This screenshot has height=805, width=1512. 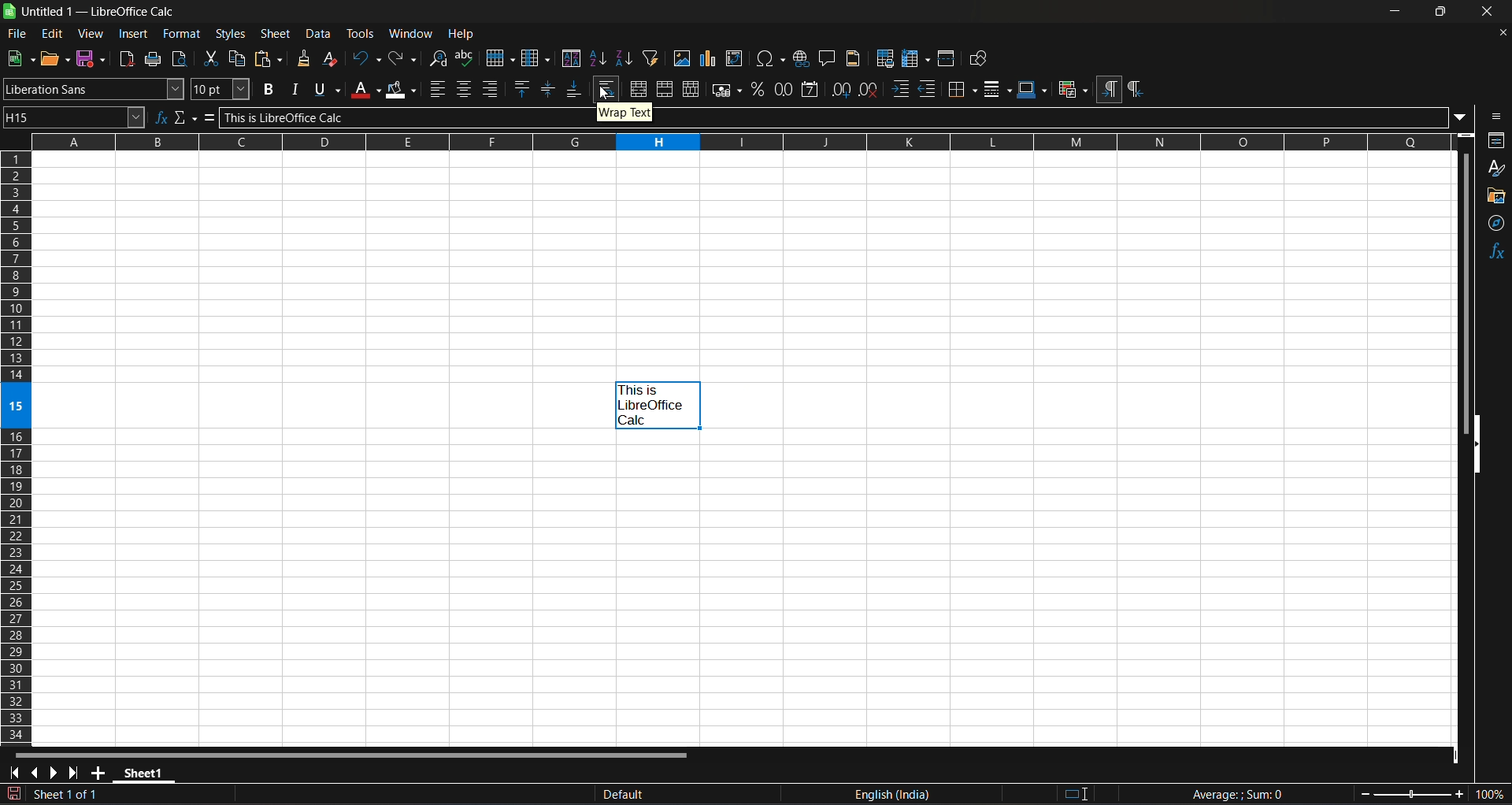 What do you see at coordinates (1033, 89) in the screenshot?
I see `border color` at bounding box center [1033, 89].